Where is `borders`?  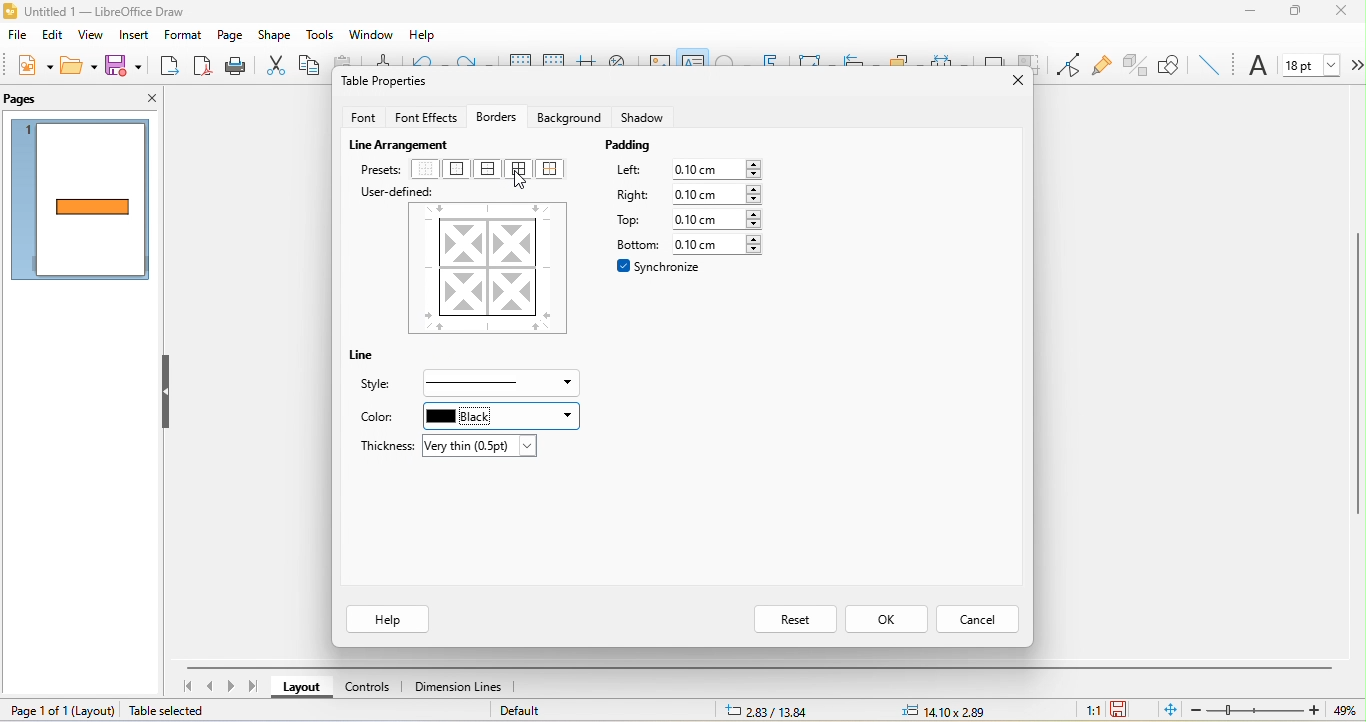
borders is located at coordinates (496, 113).